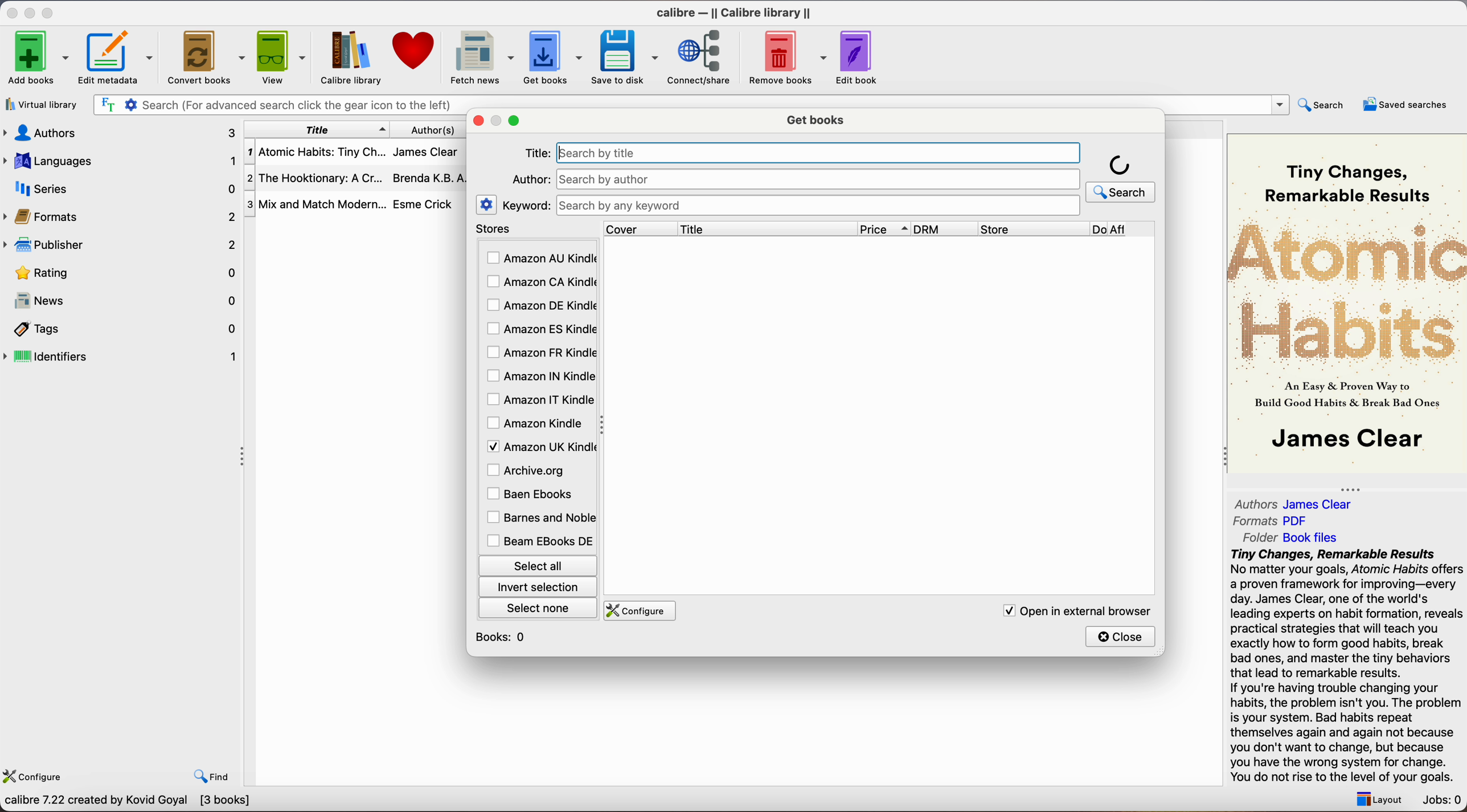 This screenshot has width=1467, height=812. Describe the element at coordinates (123, 355) in the screenshot. I see `indentifiers` at that location.